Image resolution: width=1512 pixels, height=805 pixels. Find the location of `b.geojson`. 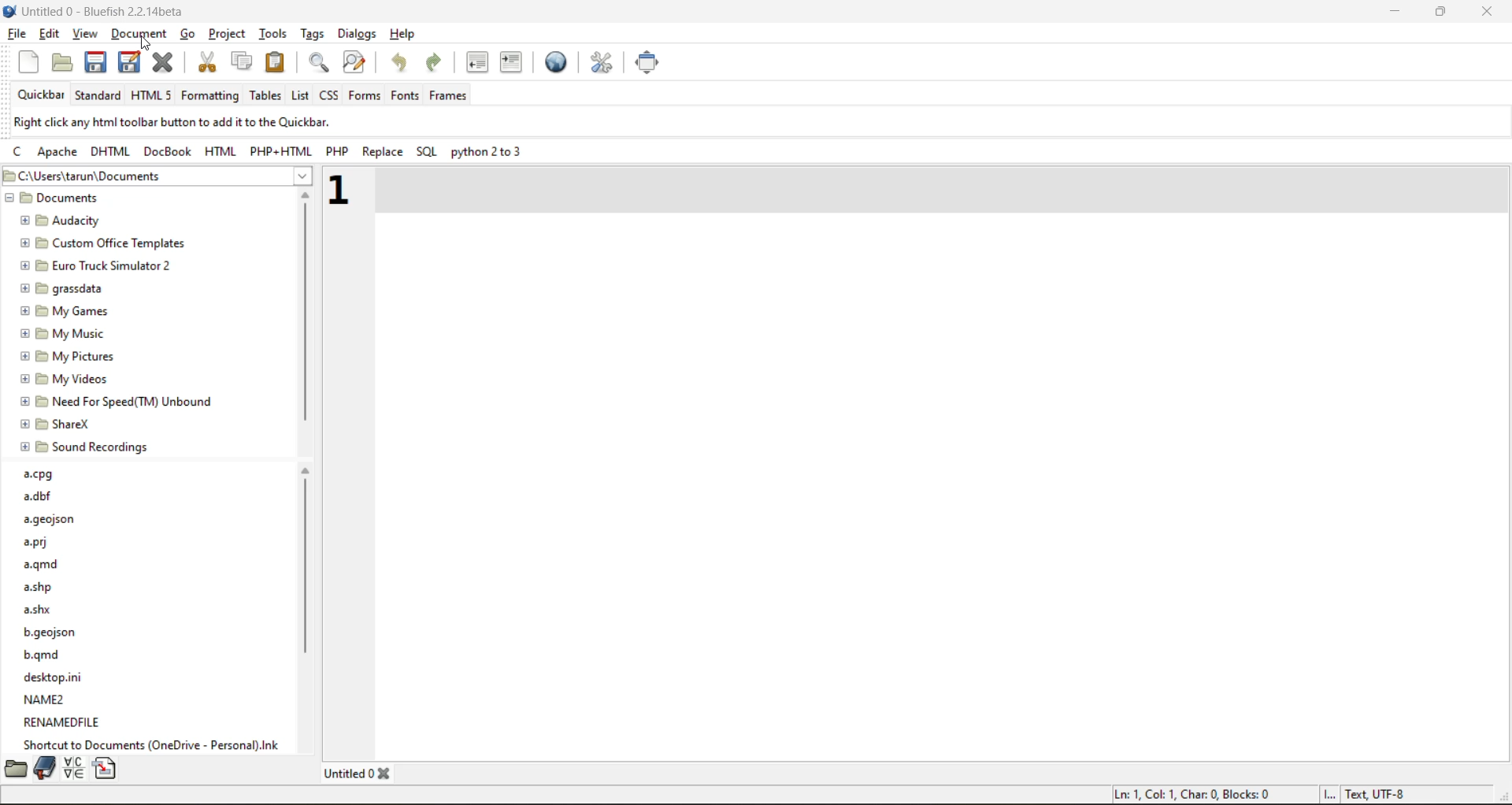

b.geojson is located at coordinates (51, 633).